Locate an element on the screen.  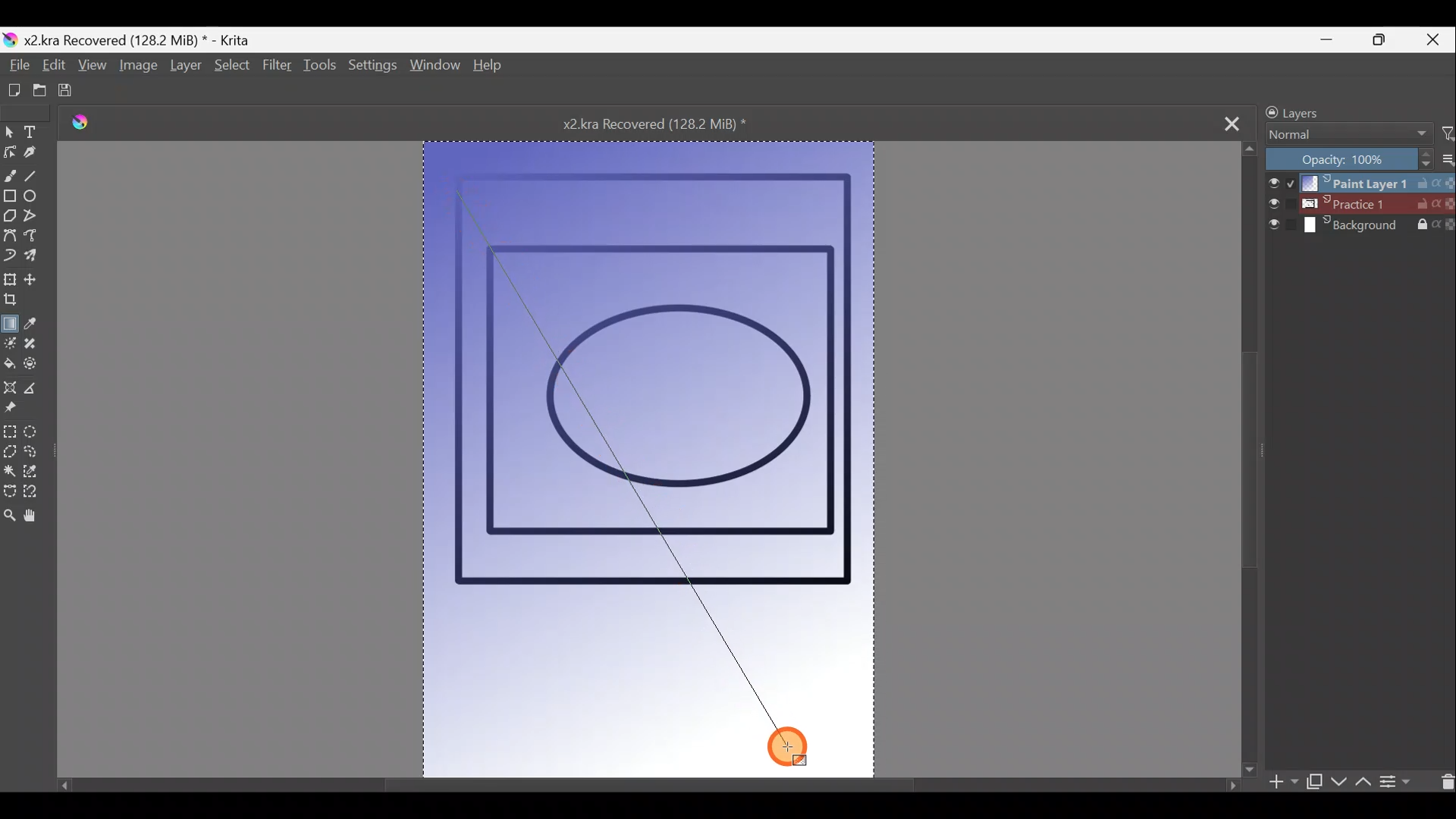
Ellipse tool is located at coordinates (35, 199).